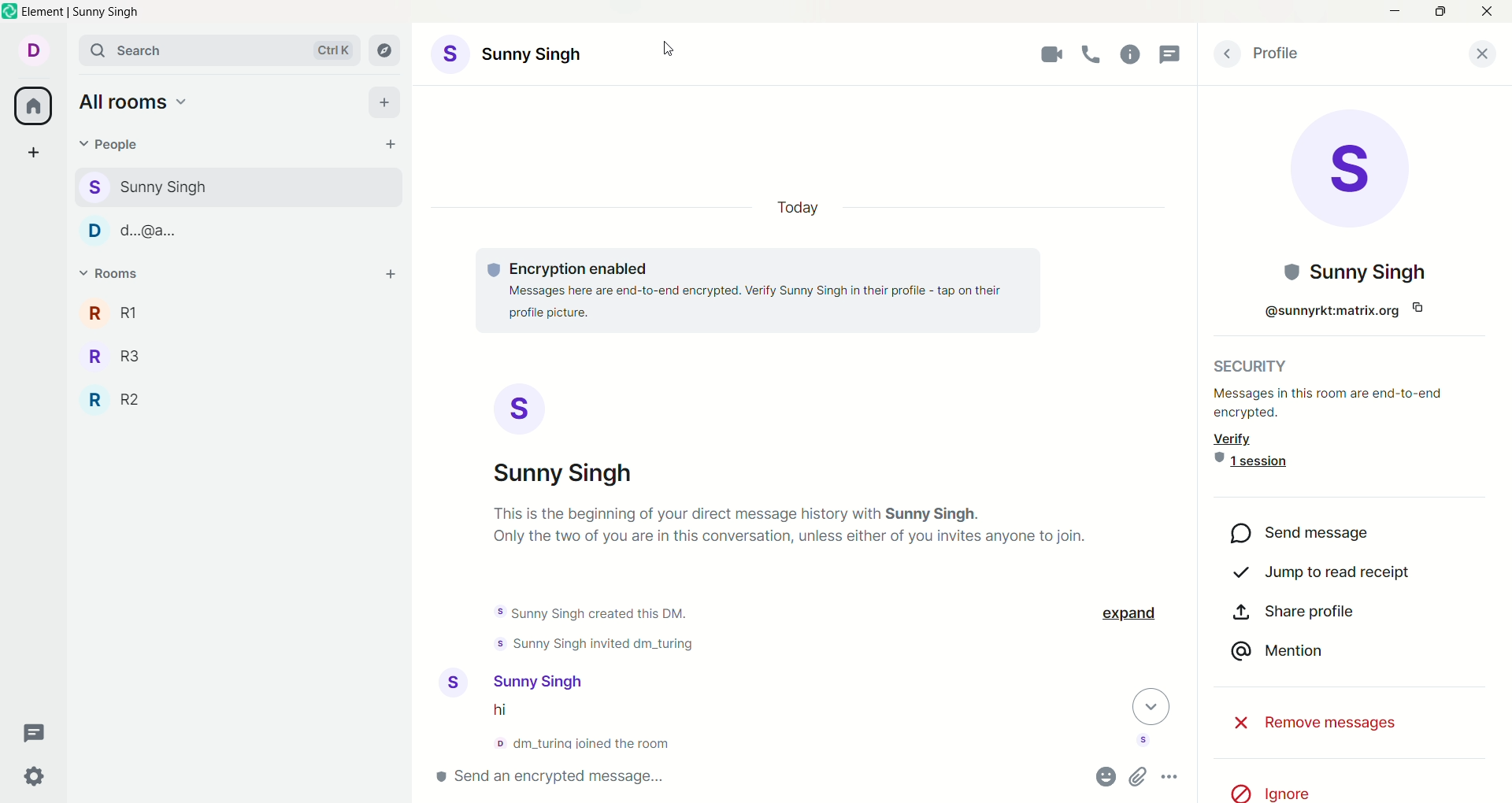 This screenshot has height=803, width=1512. Describe the element at coordinates (120, 354) in the screenshot. I see `R3` at that location.